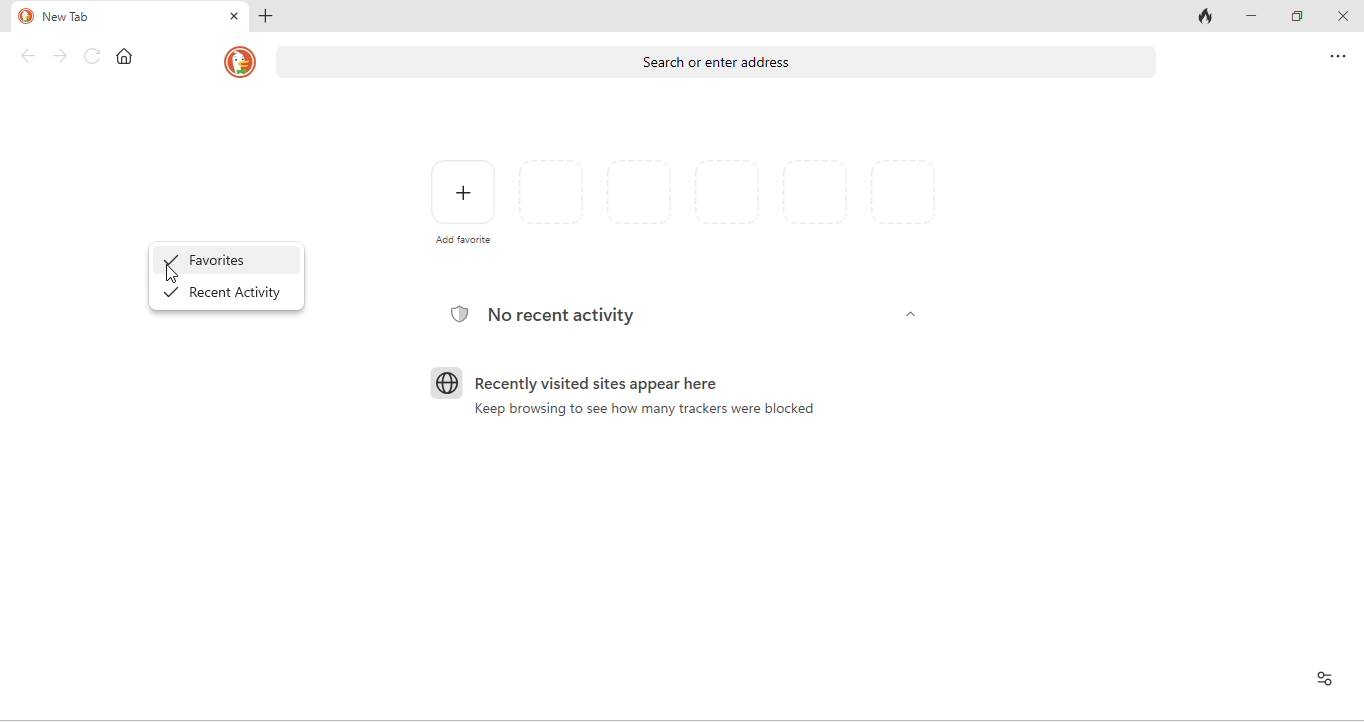 This screenshot has width=1364, height=722. I want to click on home, so click(124, 57).